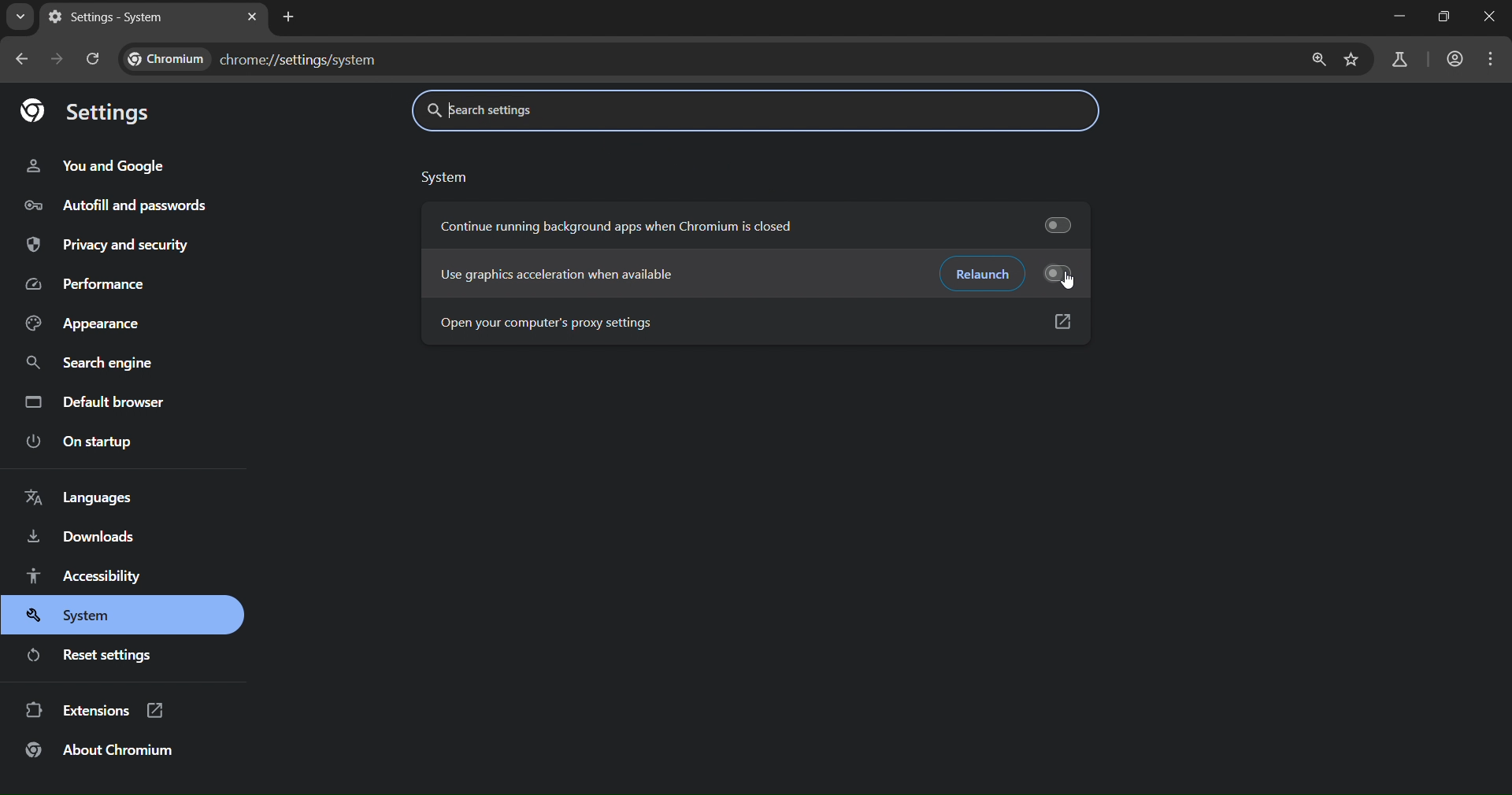  I want to click on languages, so click(79, 501).